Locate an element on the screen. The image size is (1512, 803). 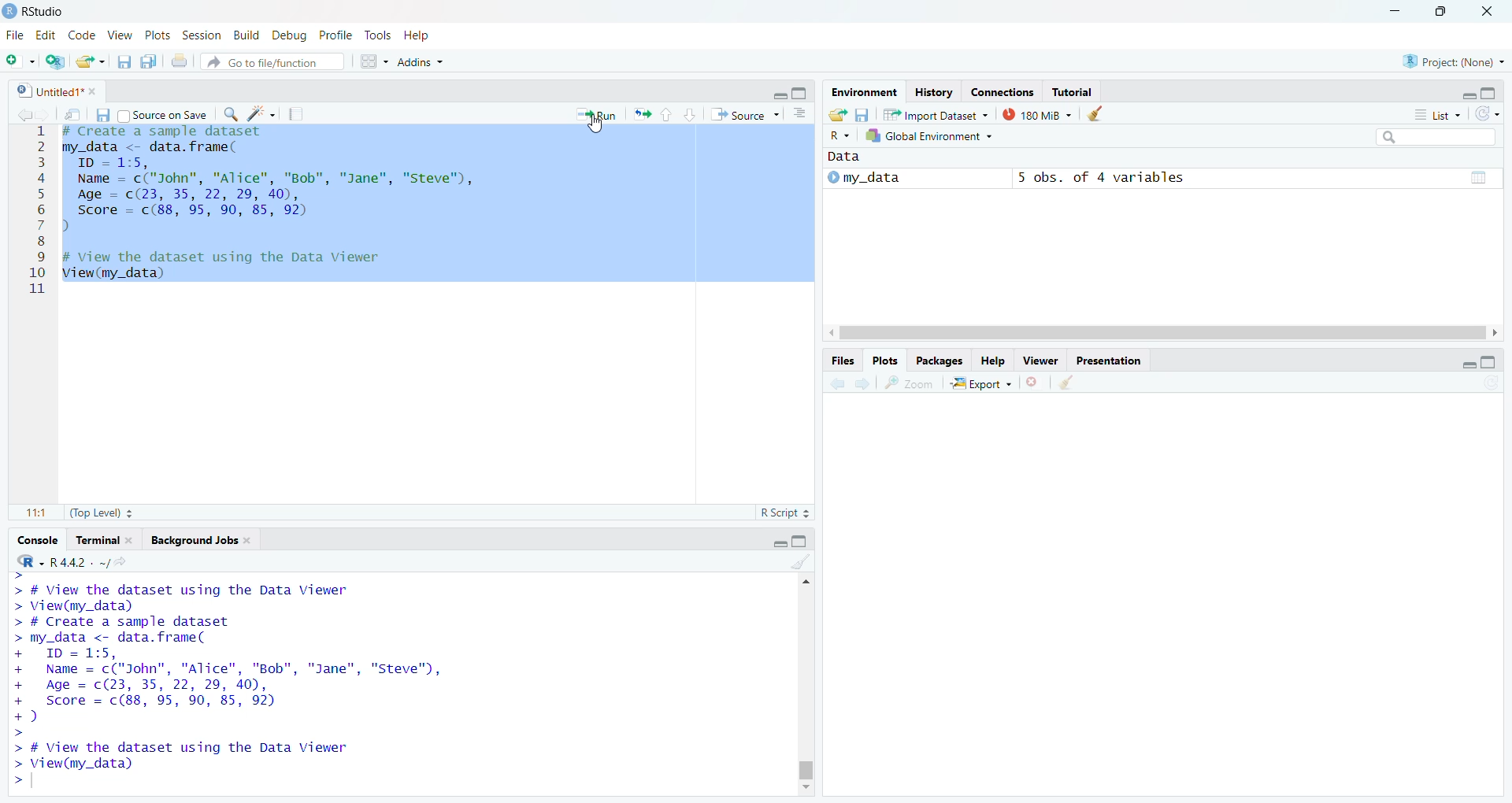
Profile is located at coordinates (335, 37).